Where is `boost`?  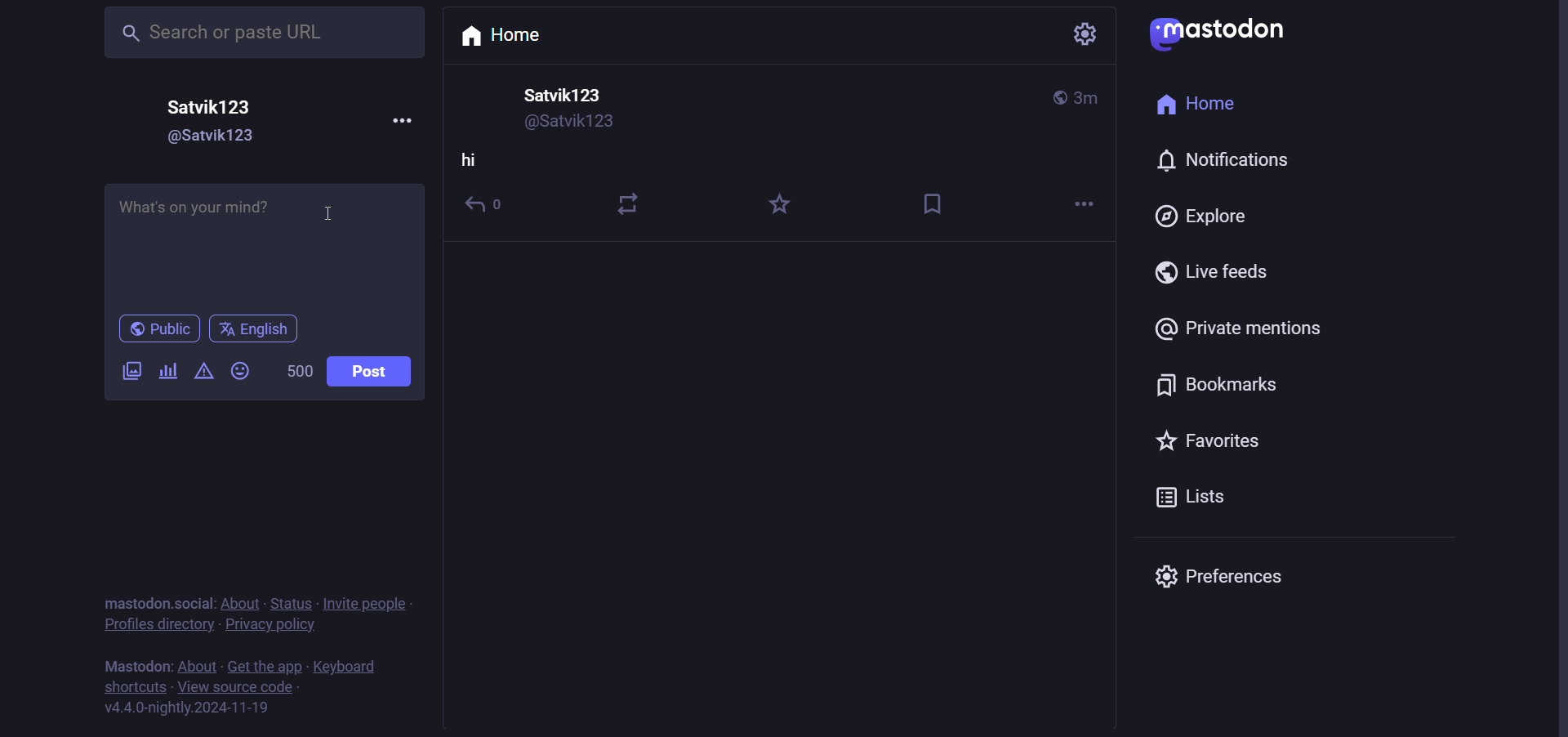 boost is located at coordinates (632, 199).